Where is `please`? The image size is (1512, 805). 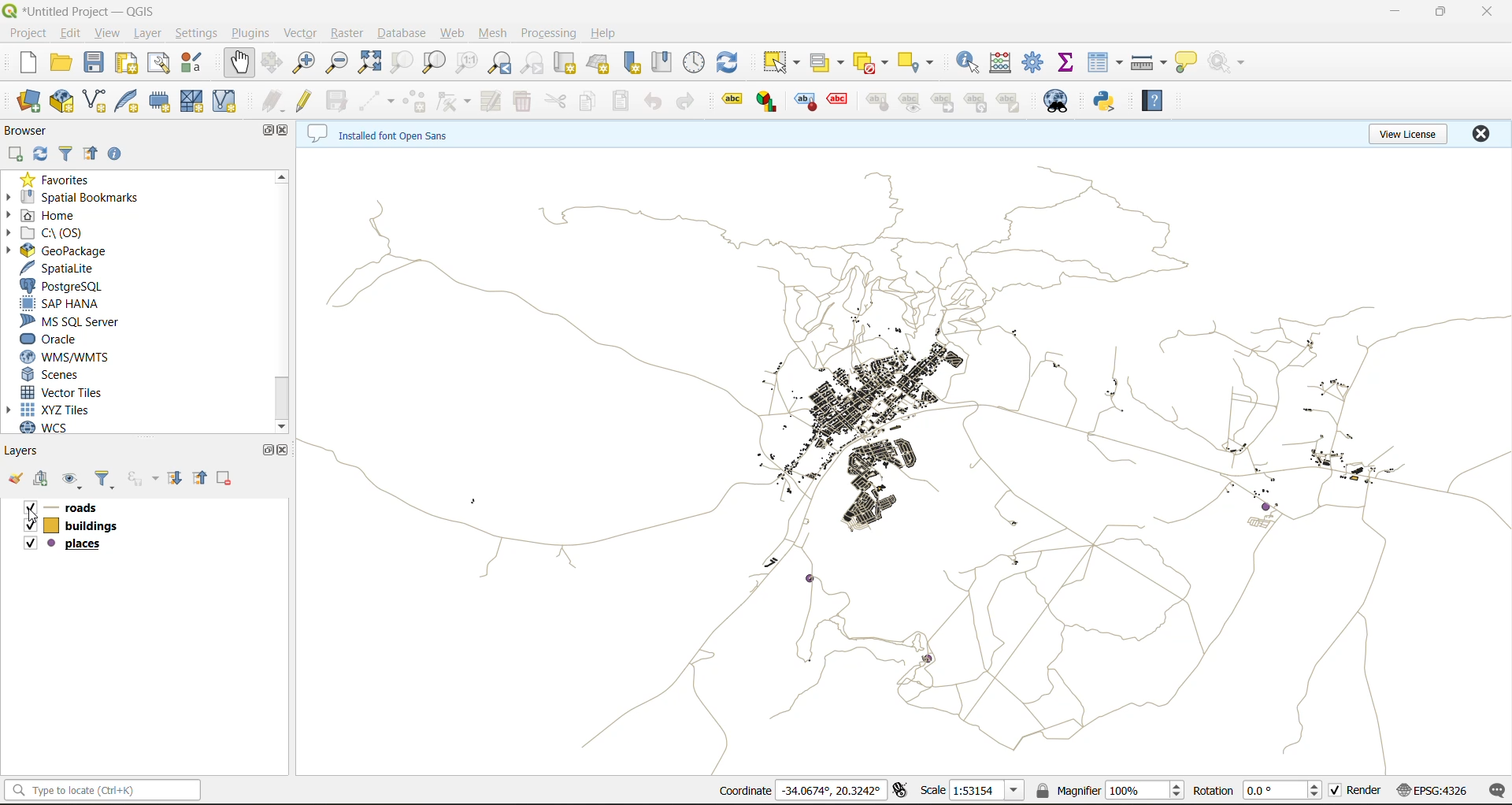 please is located at coordinates (52, 543).